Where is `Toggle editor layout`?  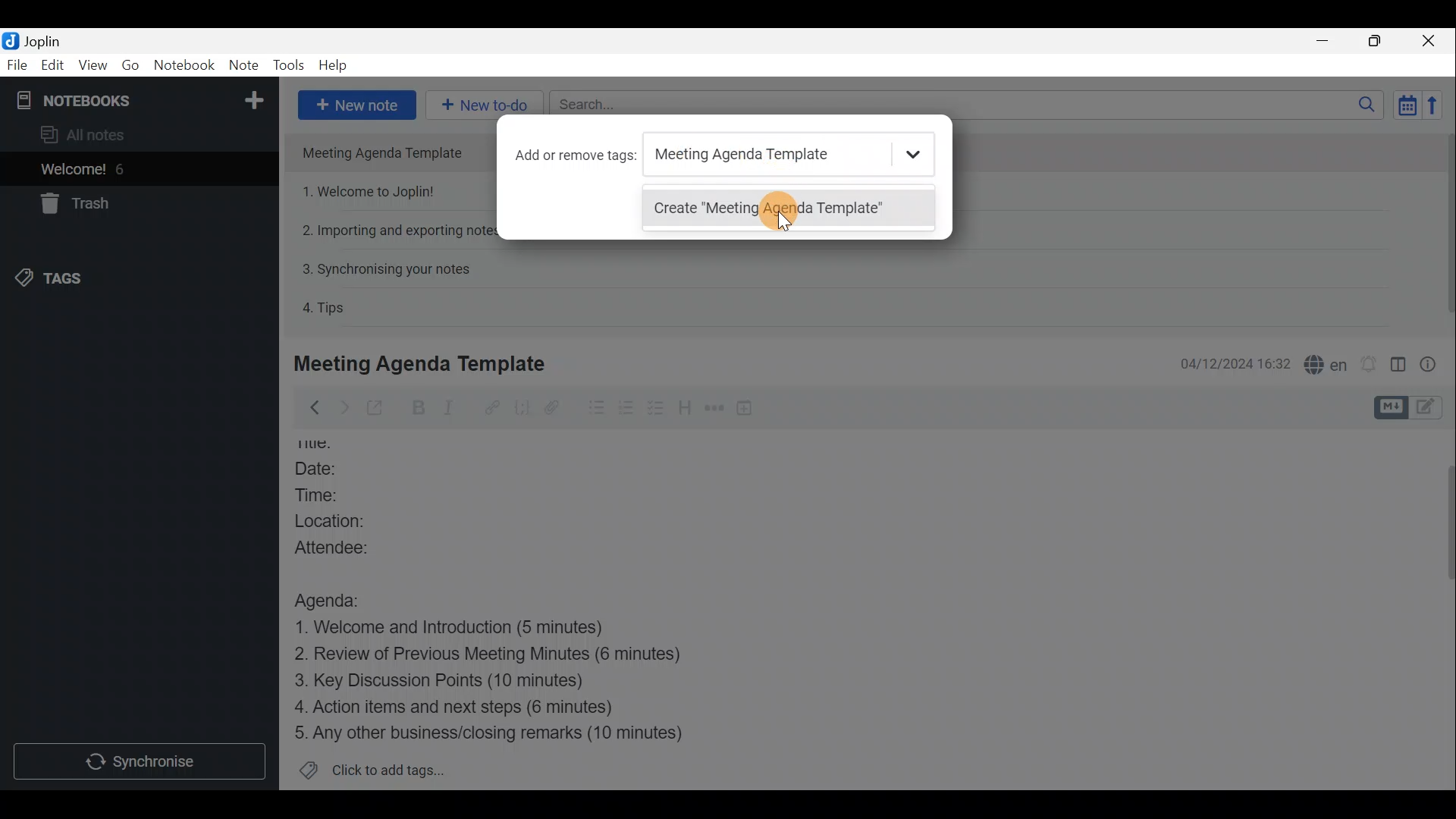 Toggle editor layout is located at coordinates (1399, 367).